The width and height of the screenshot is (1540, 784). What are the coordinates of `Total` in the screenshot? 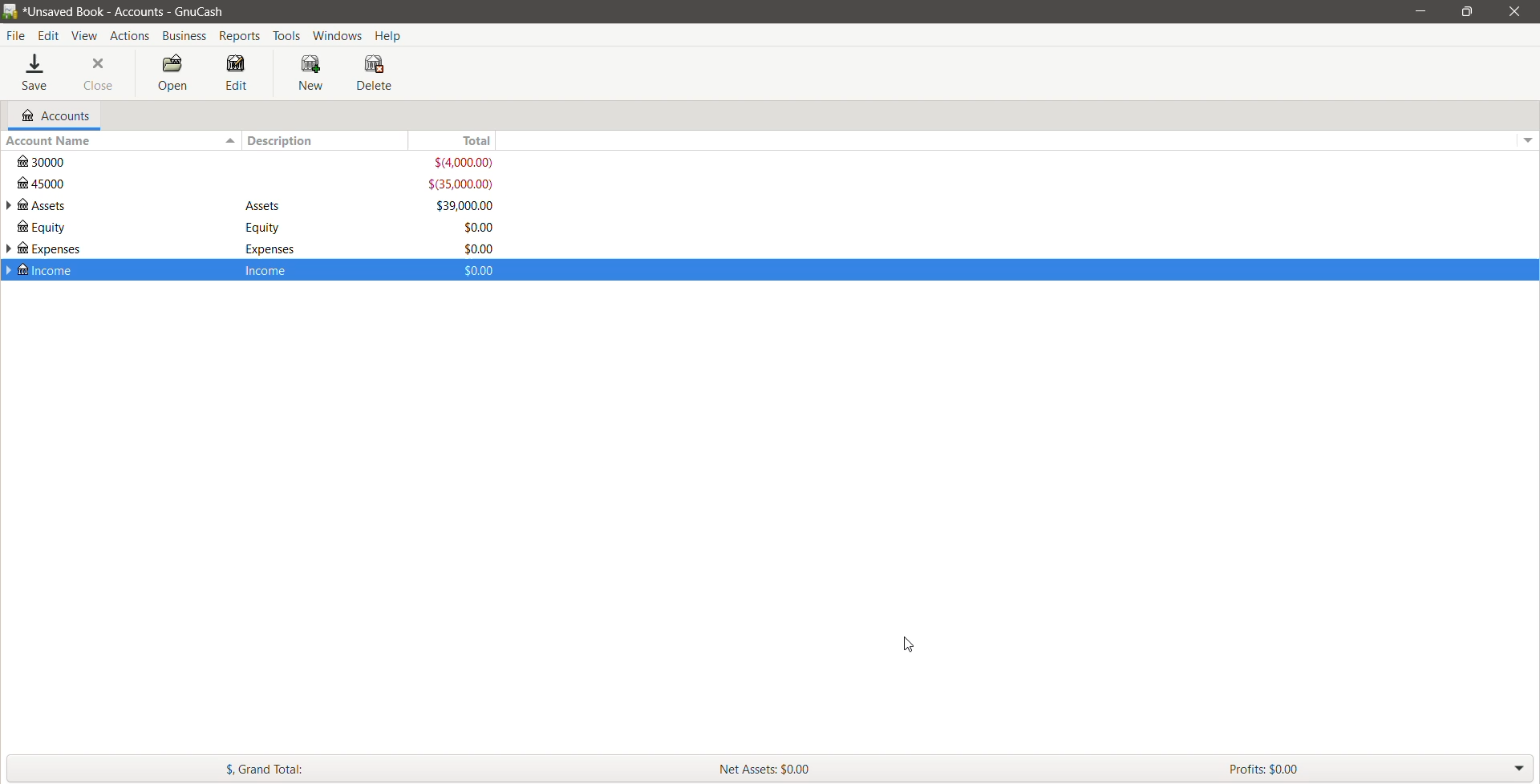 It's located at (464, 140).